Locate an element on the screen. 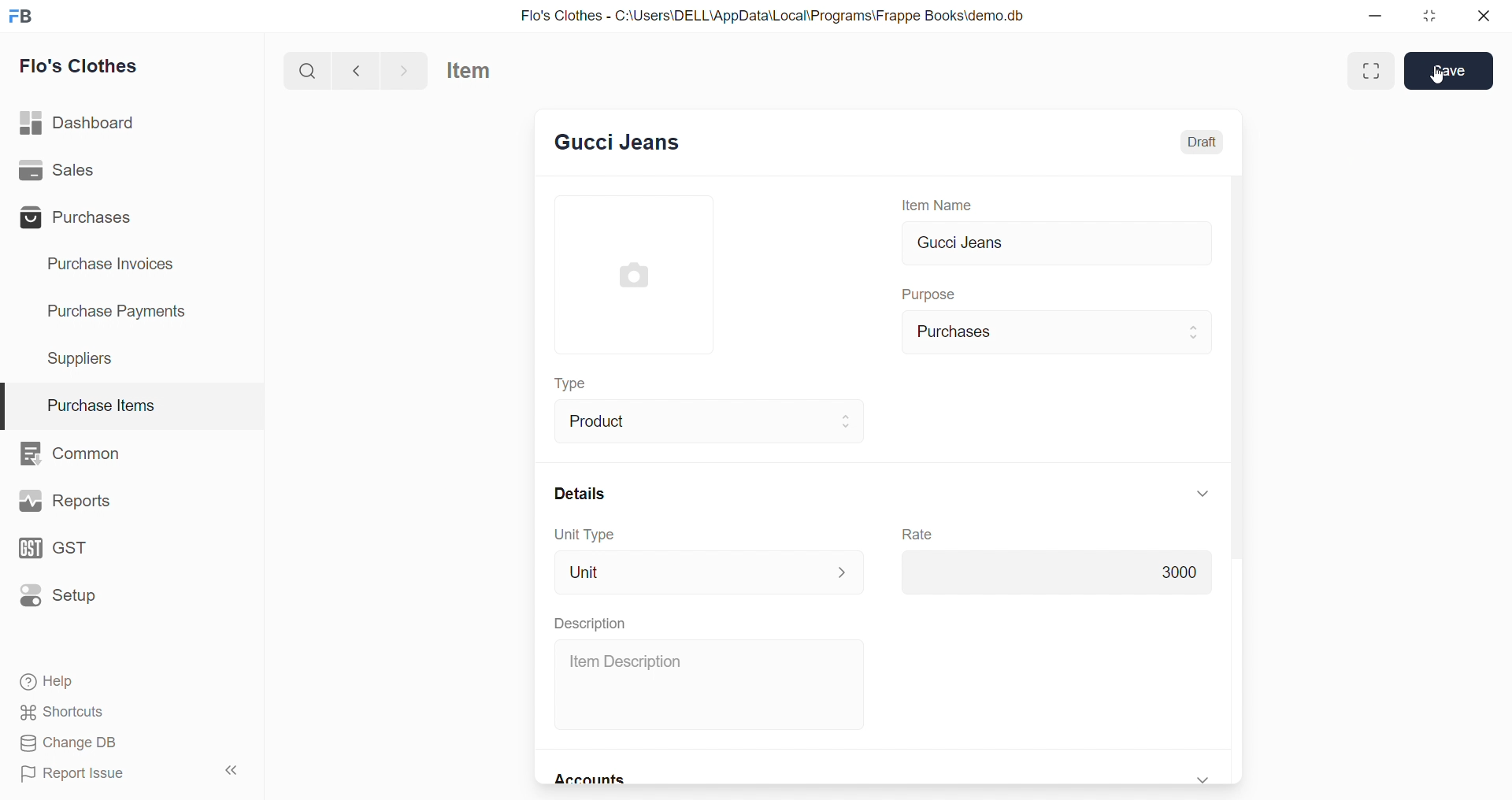  minimize is located at coordinates (1381, 16).